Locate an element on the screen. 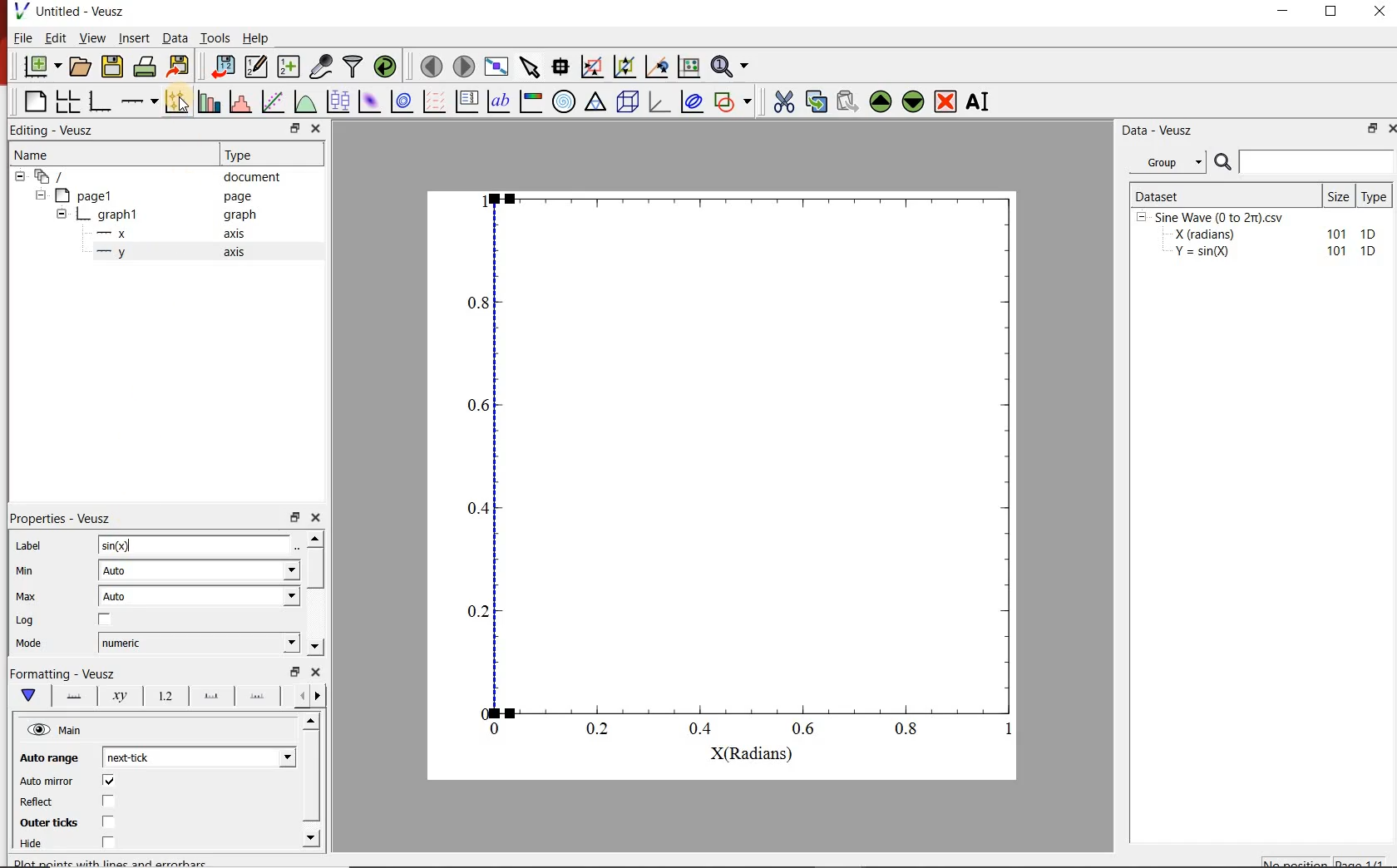  down arrow is located at coordinates (27, 696).